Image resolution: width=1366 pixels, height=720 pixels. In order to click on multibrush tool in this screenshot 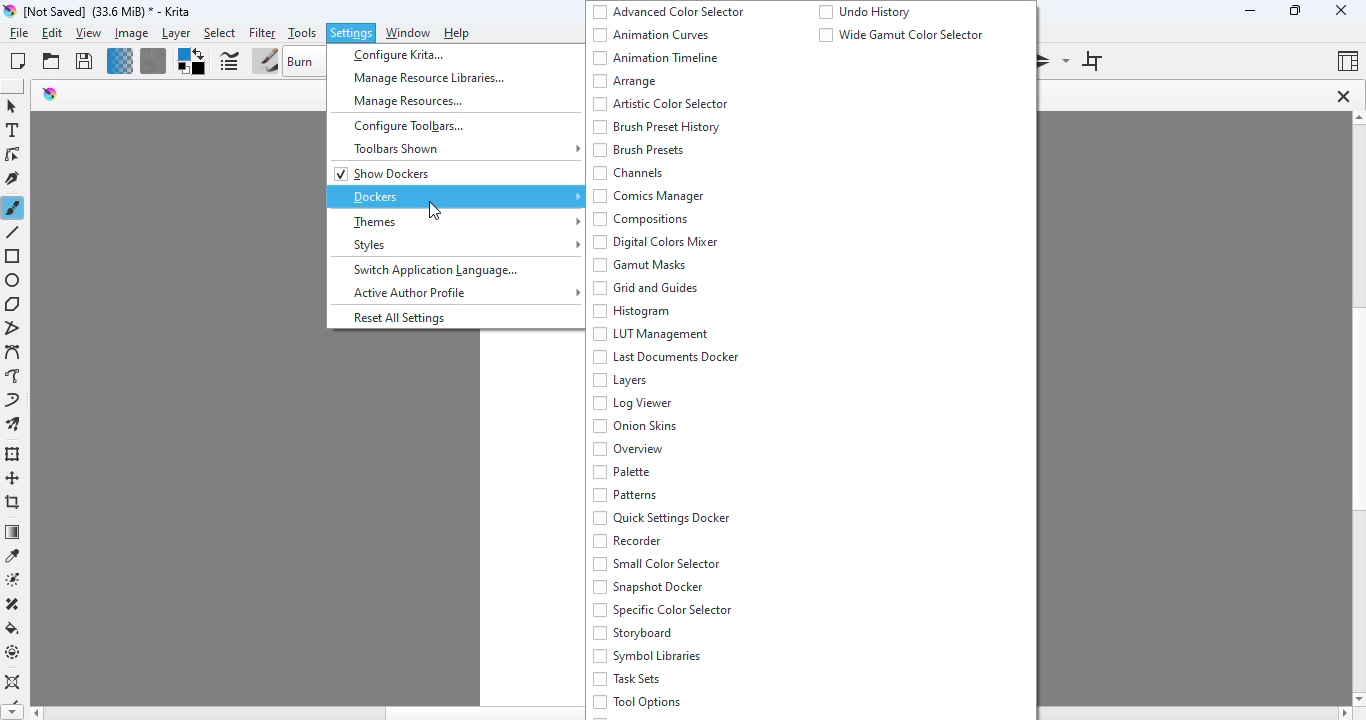, I will do `click(13, 425)`.